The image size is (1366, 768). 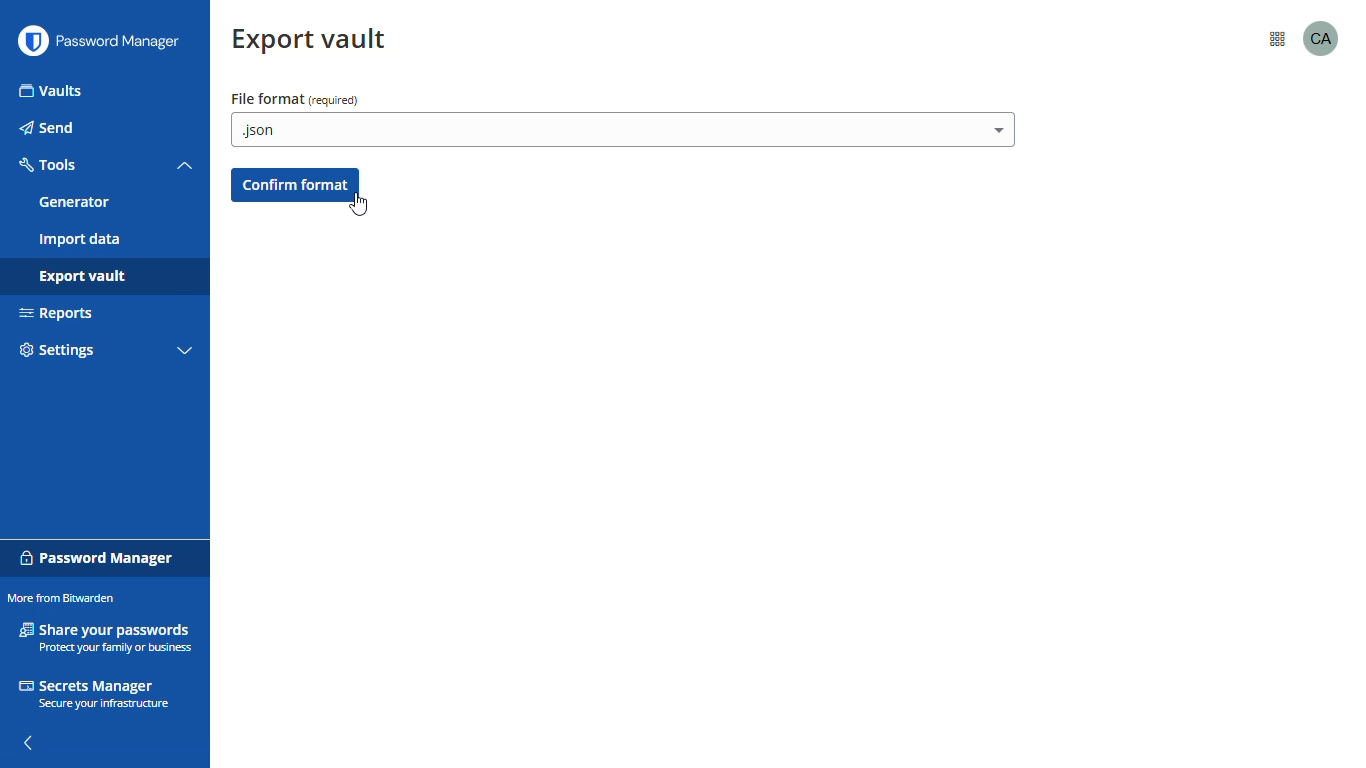 What do you see at coordinates (312, 41) in the screenshot?
I see `export vault` at bounding box center [312, 41].